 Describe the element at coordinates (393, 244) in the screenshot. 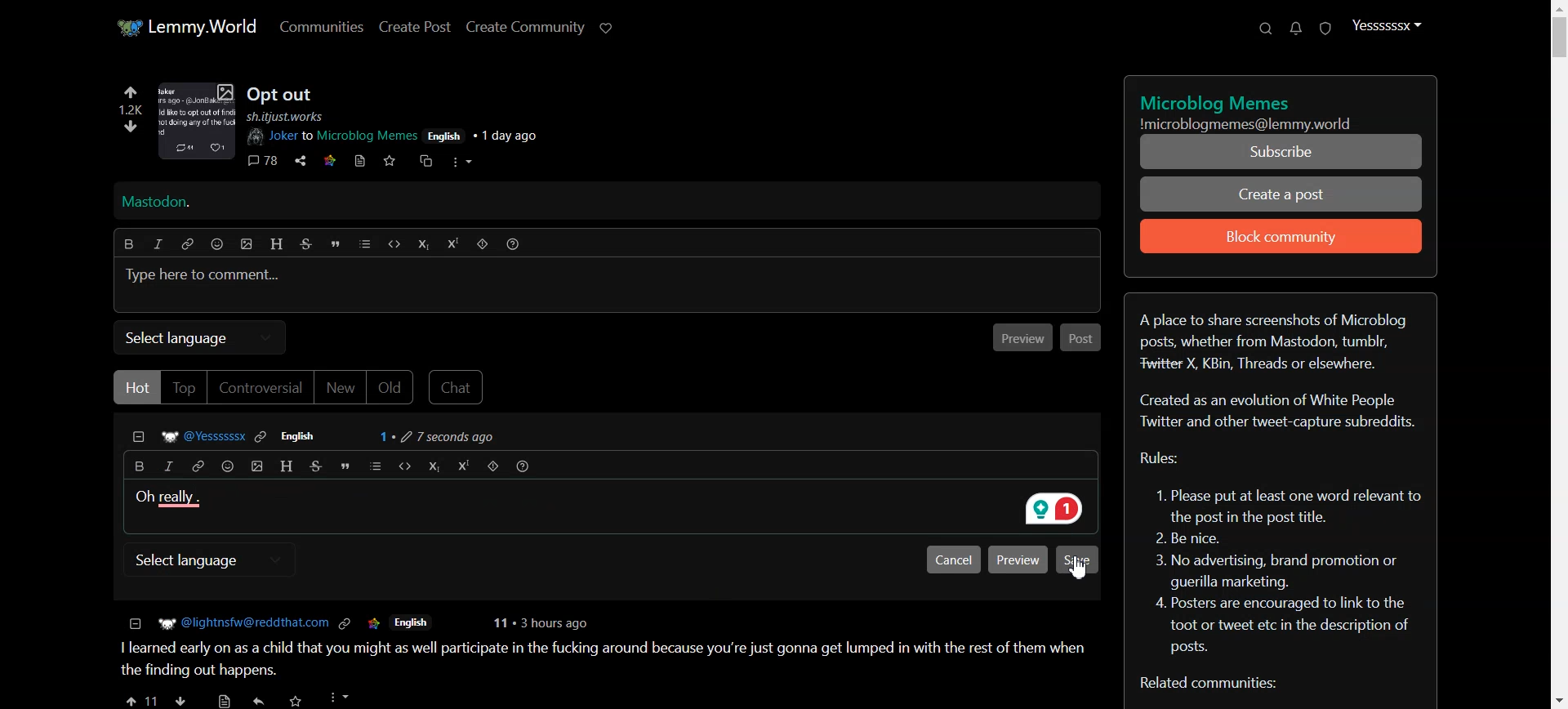

I see `Code` at that location.